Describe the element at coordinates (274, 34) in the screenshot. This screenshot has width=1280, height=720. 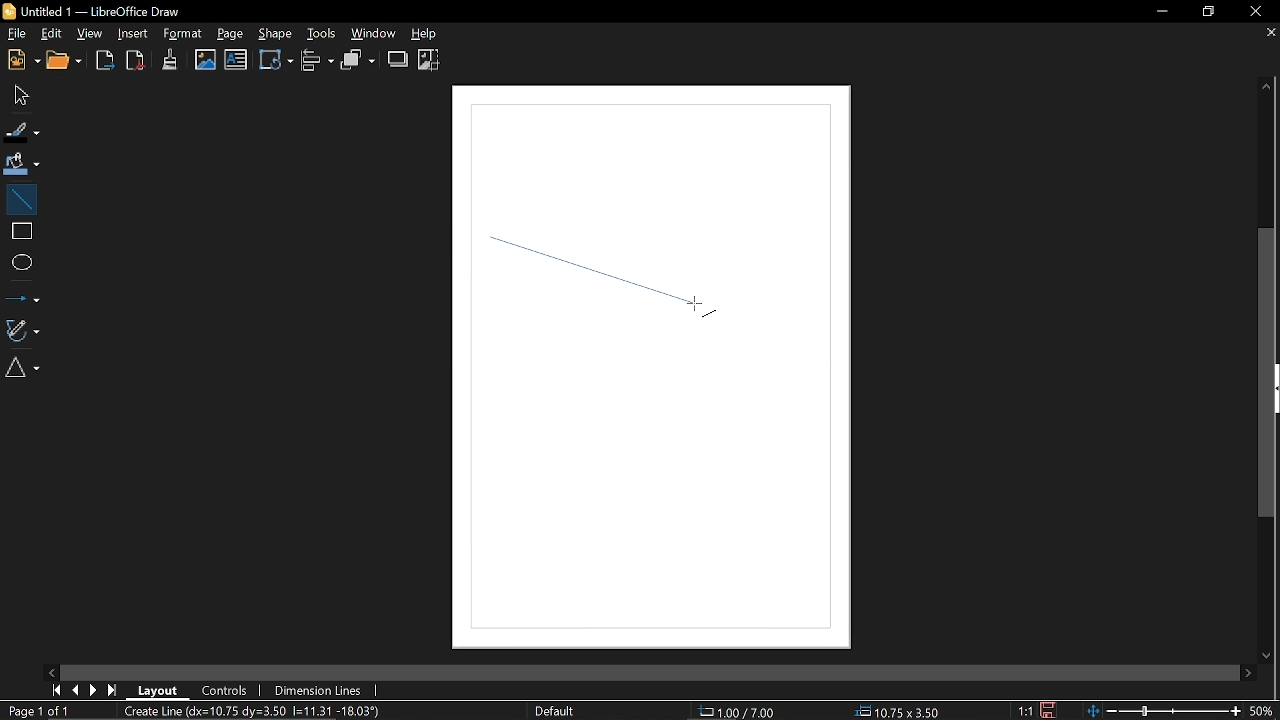
I see `Shape` at that location.